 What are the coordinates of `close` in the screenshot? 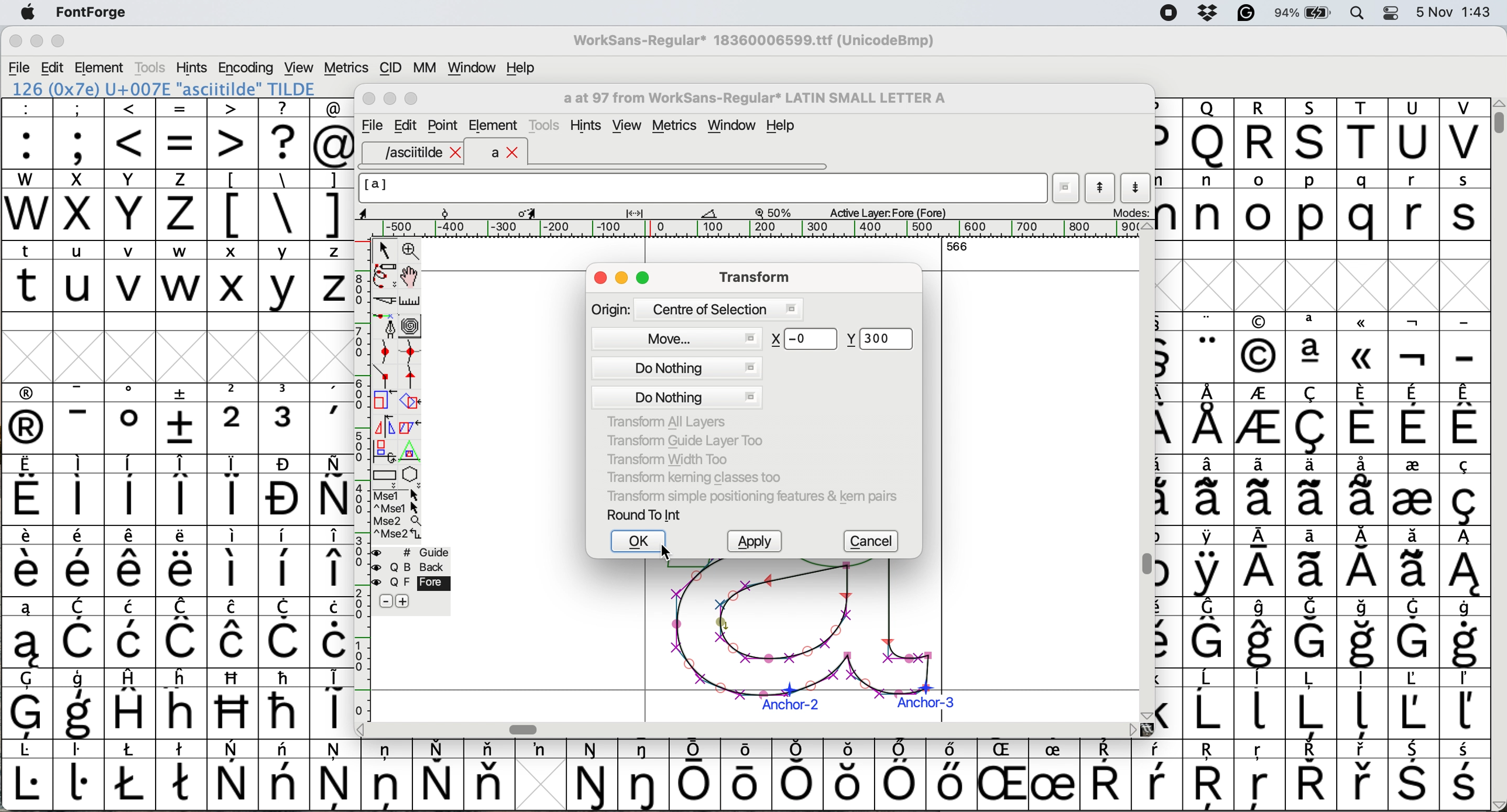 It's located at (600, 279).